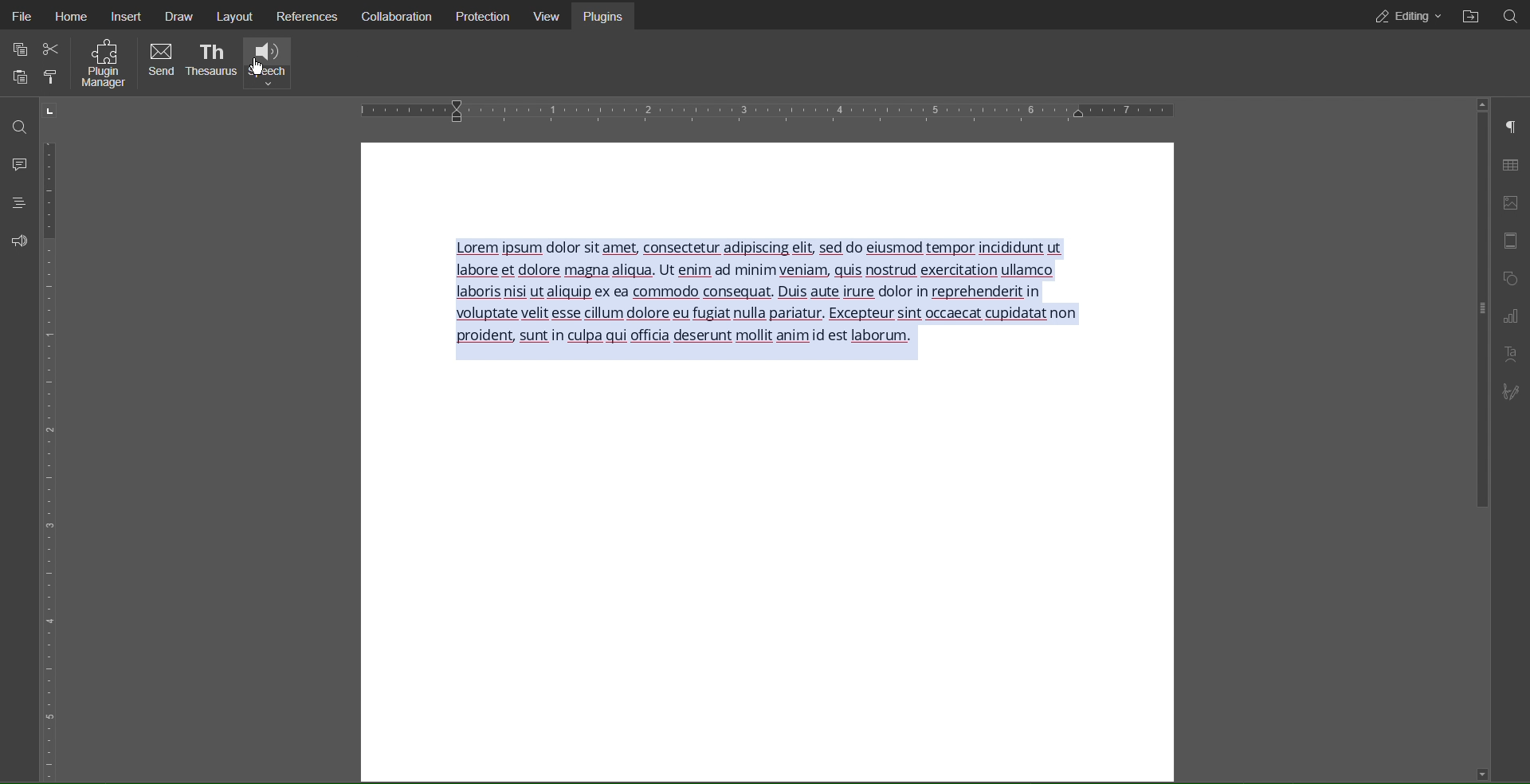  Describe the element at coordinates (1510, 163) in the screenshot. I see `Table Settings` at that location.